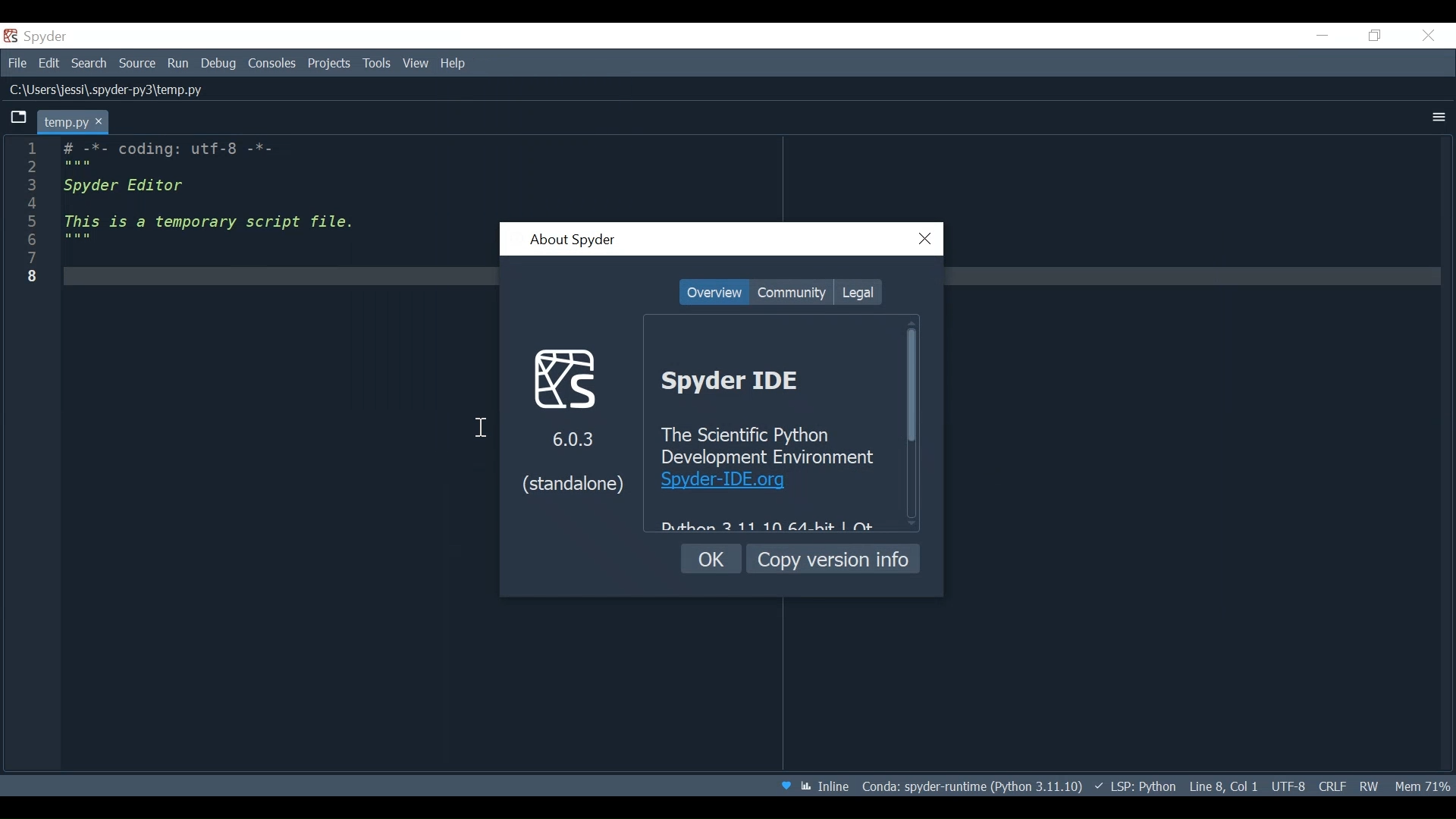 Image resolution: width=1456 pixels, height=819 pixels. I want to click on Language, so click(1136, 786).